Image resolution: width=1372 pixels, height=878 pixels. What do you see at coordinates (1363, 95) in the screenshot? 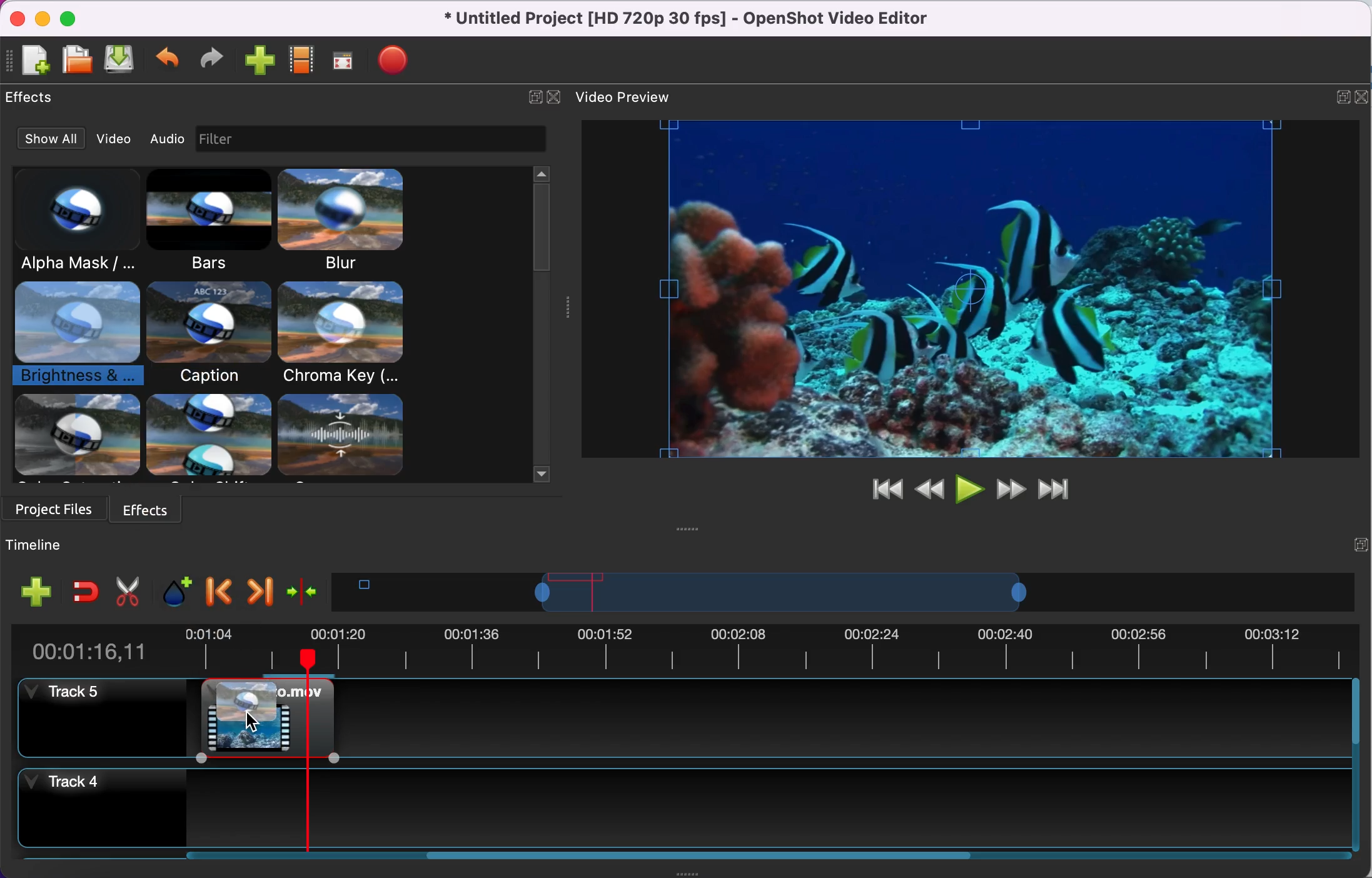
I see `close` at bounding box center [1363, 95].